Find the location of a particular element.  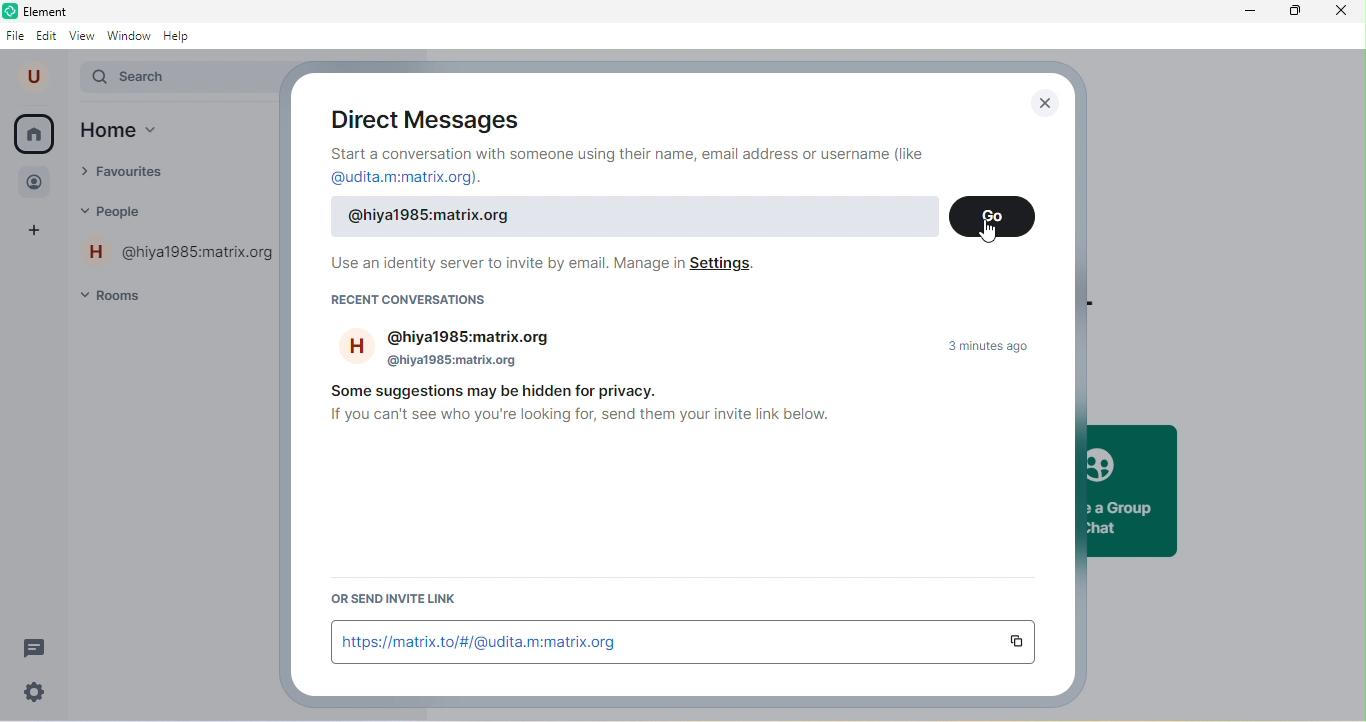

u is located at coordinates (37, 77).